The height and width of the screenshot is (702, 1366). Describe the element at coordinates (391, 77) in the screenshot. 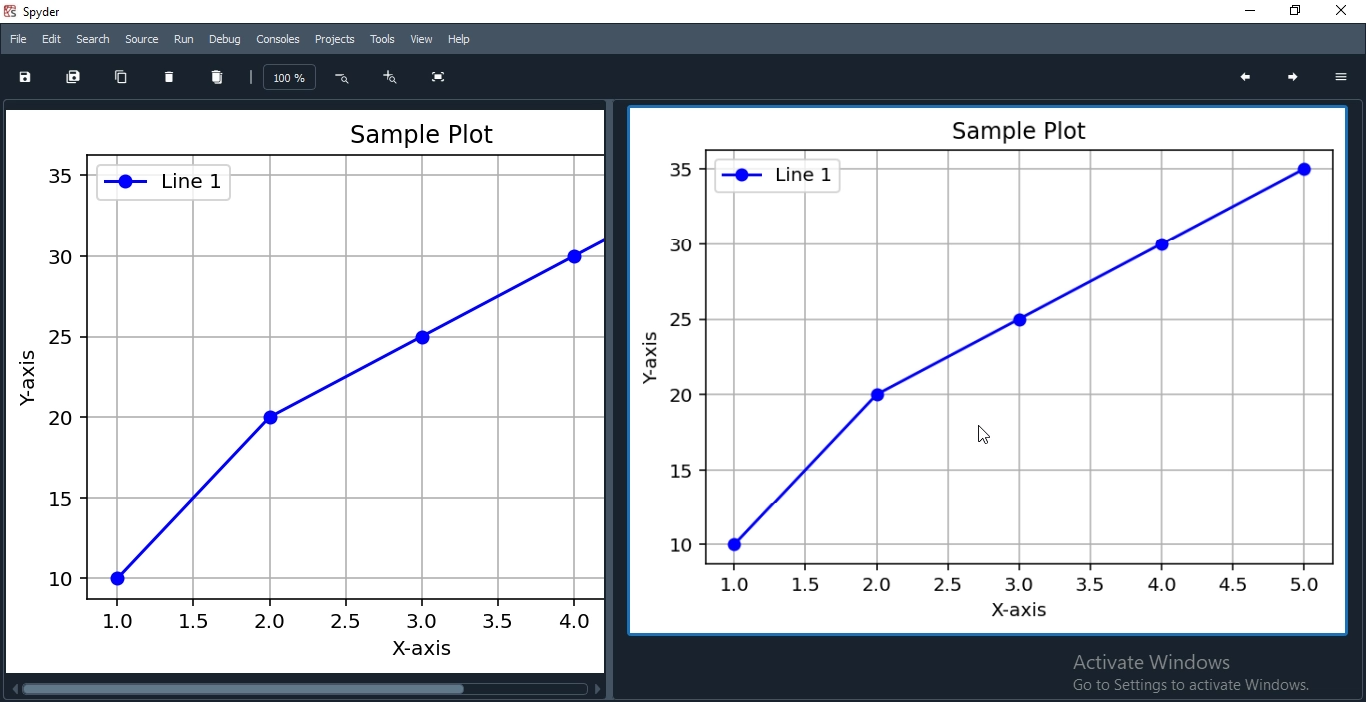

I see `zoom in` at that location.